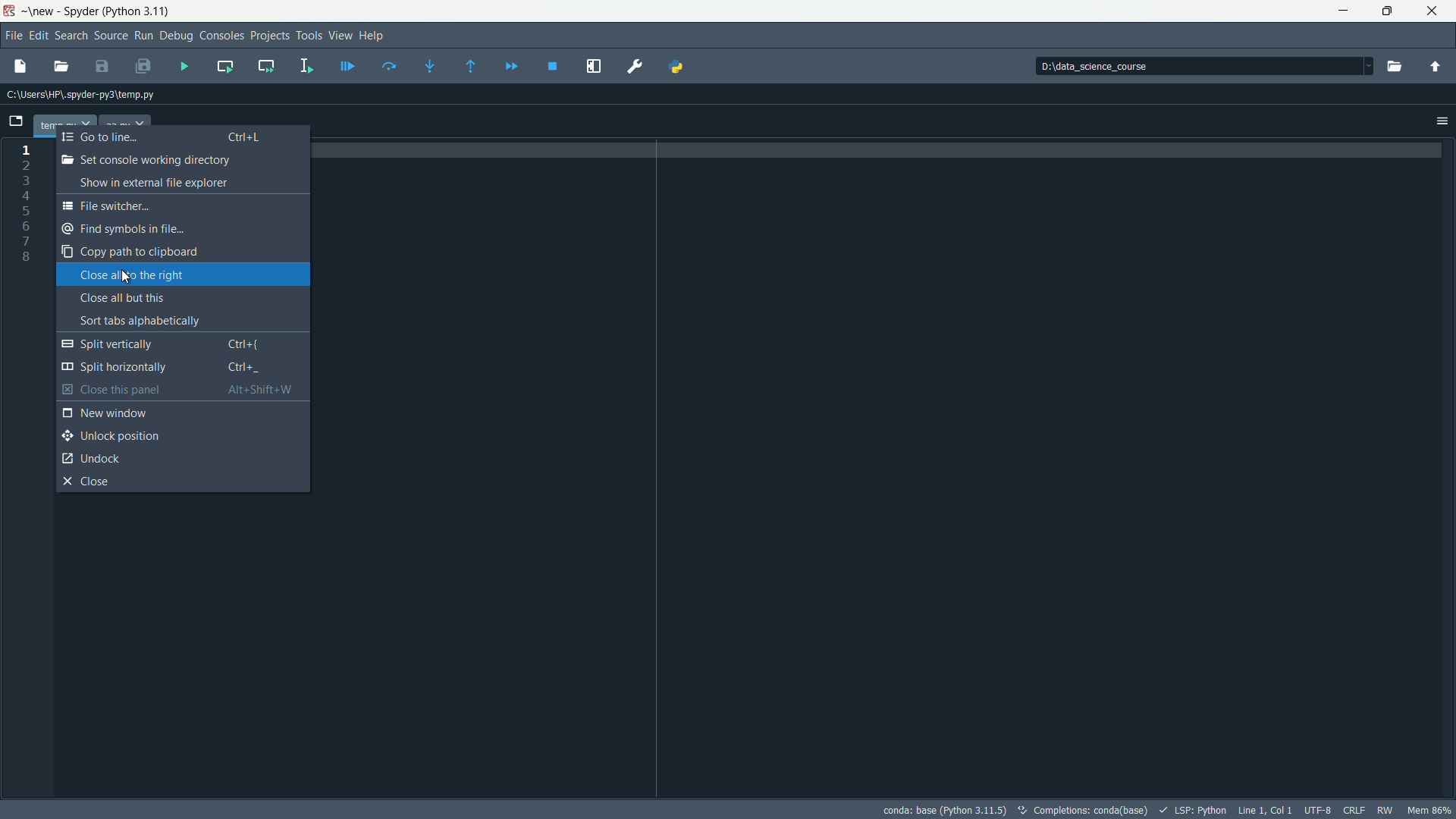 The image size is (1456, 819). I want to click on text, so click(1082, 810).